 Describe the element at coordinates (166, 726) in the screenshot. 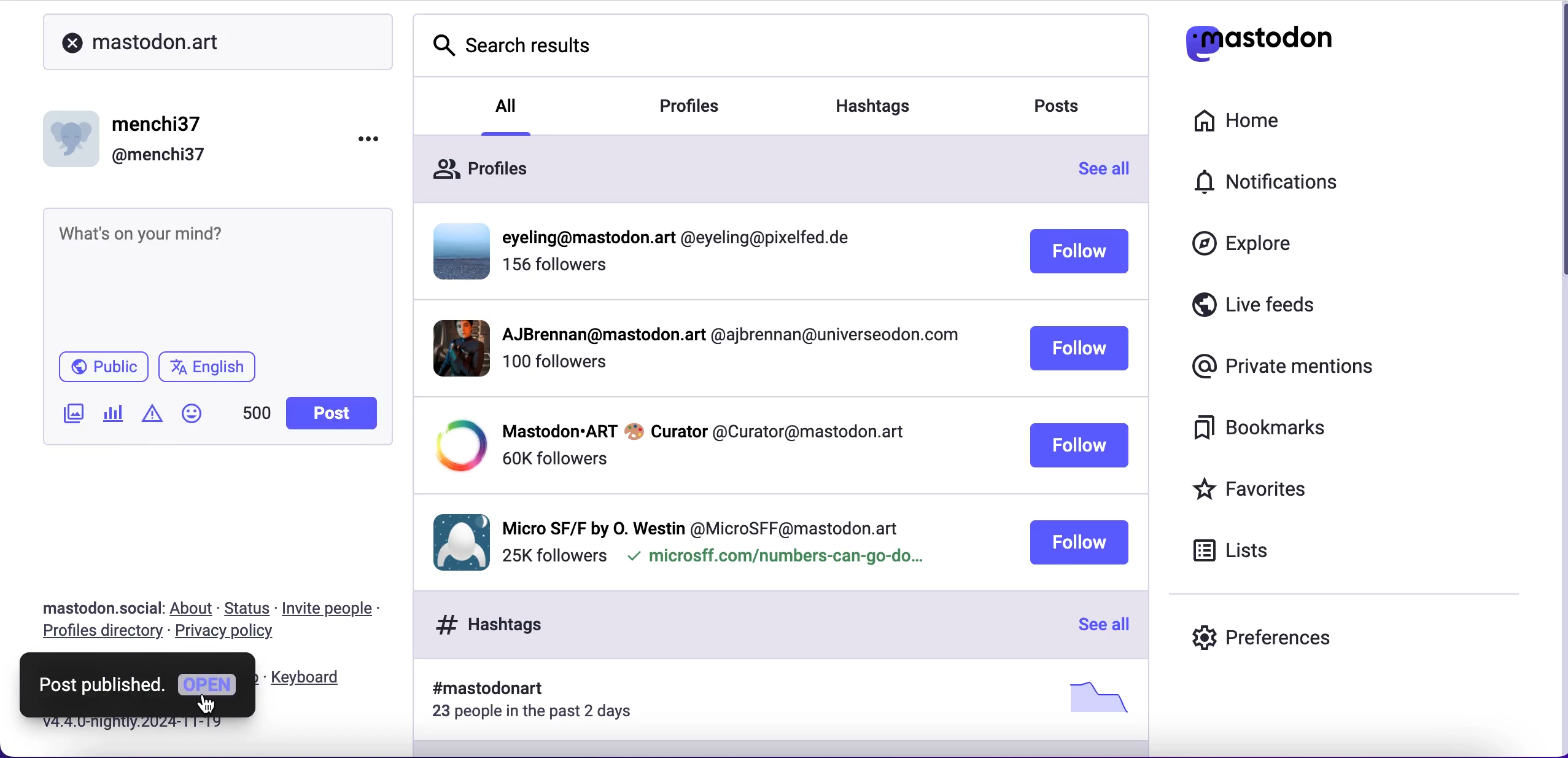

I see `2024-11-19` at that location.